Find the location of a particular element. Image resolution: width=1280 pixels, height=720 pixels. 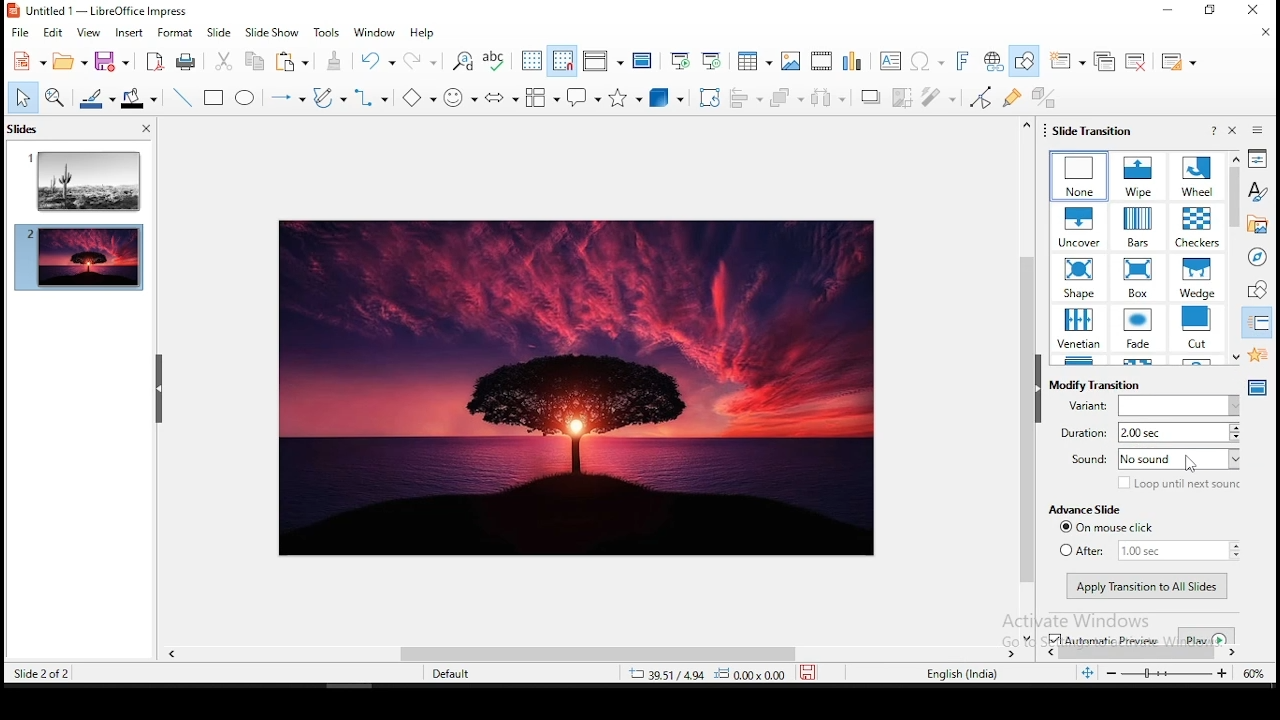

close pane is located at coordinates (1235, 130).